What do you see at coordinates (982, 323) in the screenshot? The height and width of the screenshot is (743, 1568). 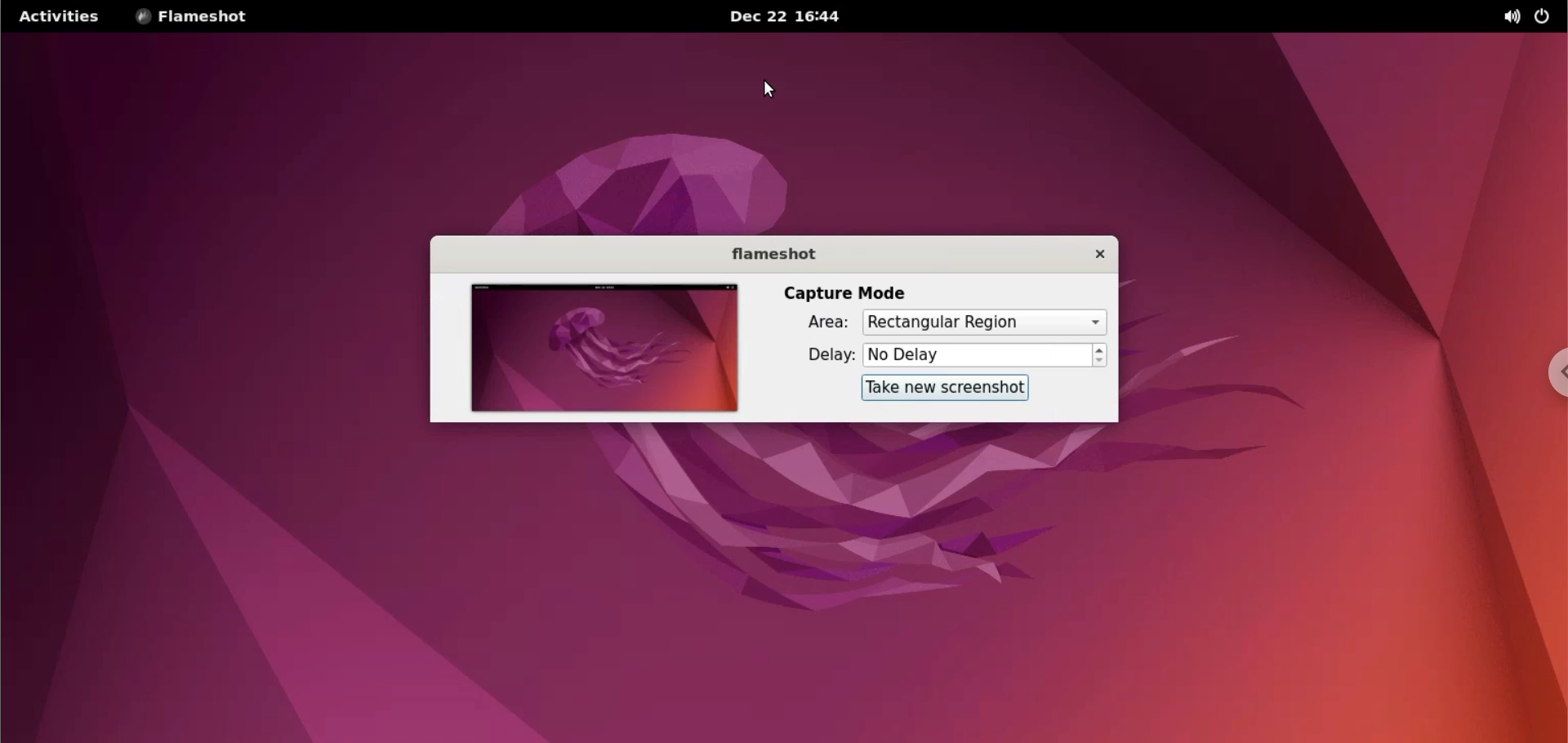 I see `capture area options` at bounding box center [982, 323].